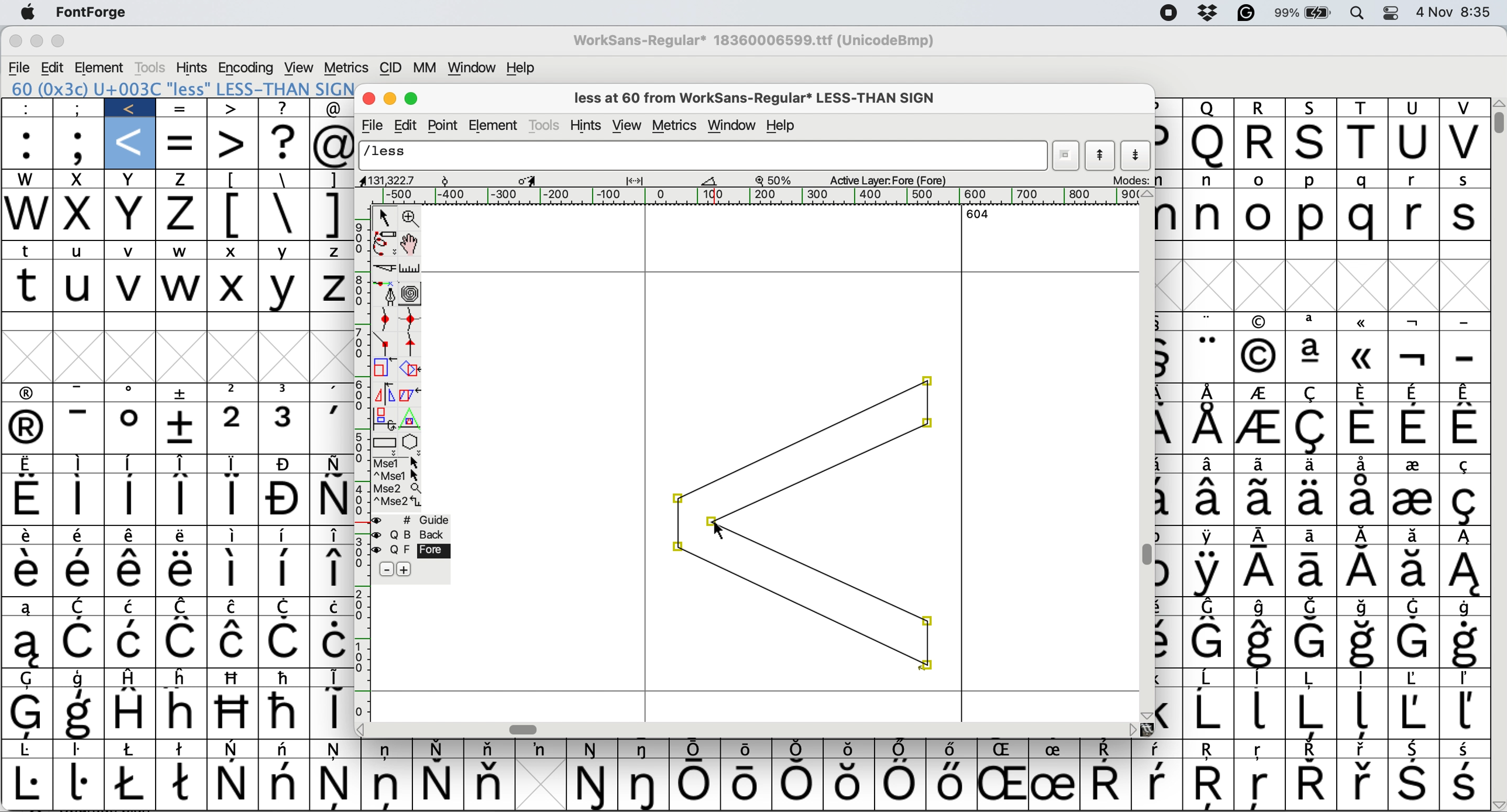 This screenshot has width=1507, height=812. I want to click on Symbol, so click(182, 536).